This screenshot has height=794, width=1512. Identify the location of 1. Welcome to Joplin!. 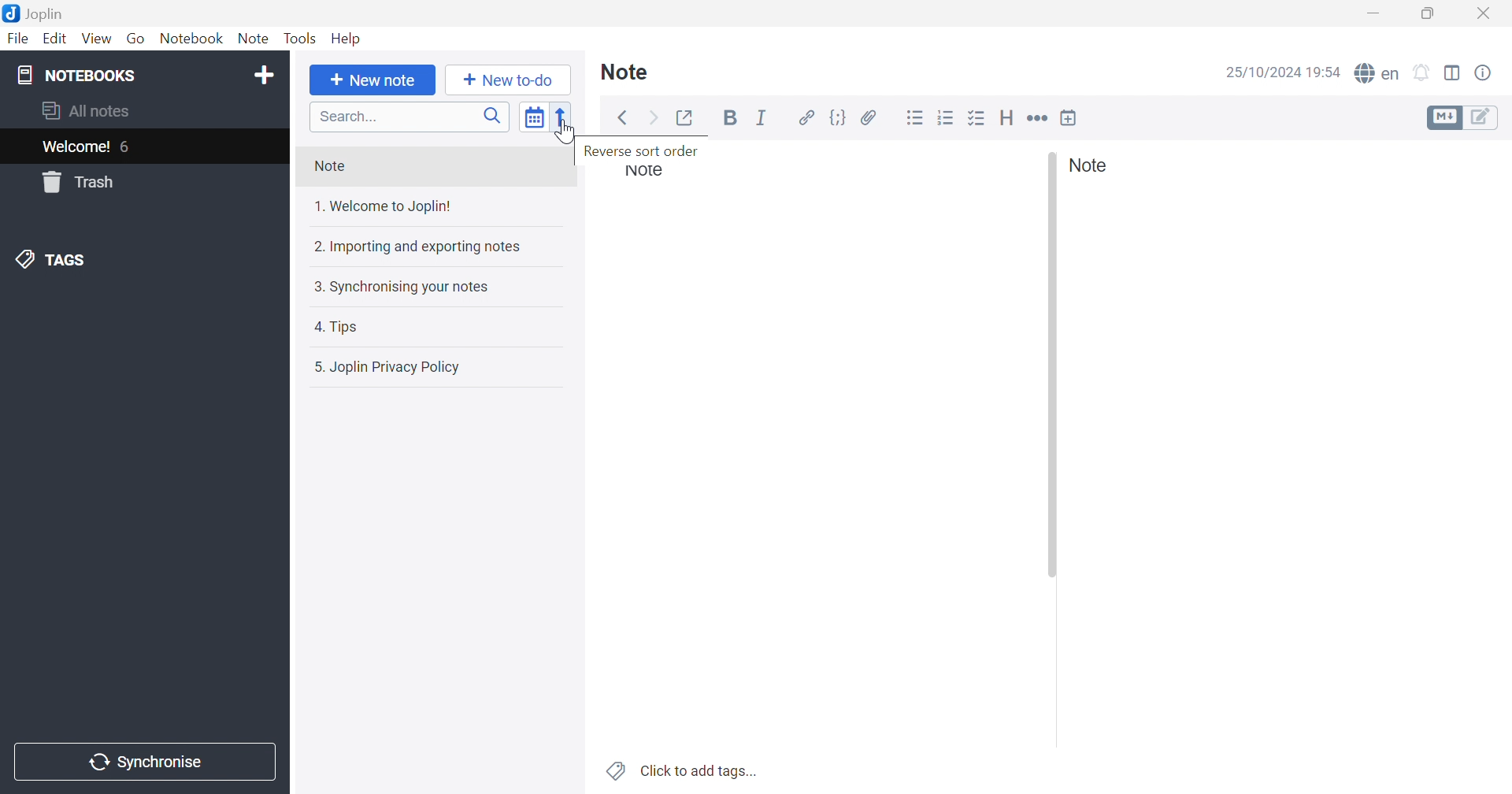
(384, 208).